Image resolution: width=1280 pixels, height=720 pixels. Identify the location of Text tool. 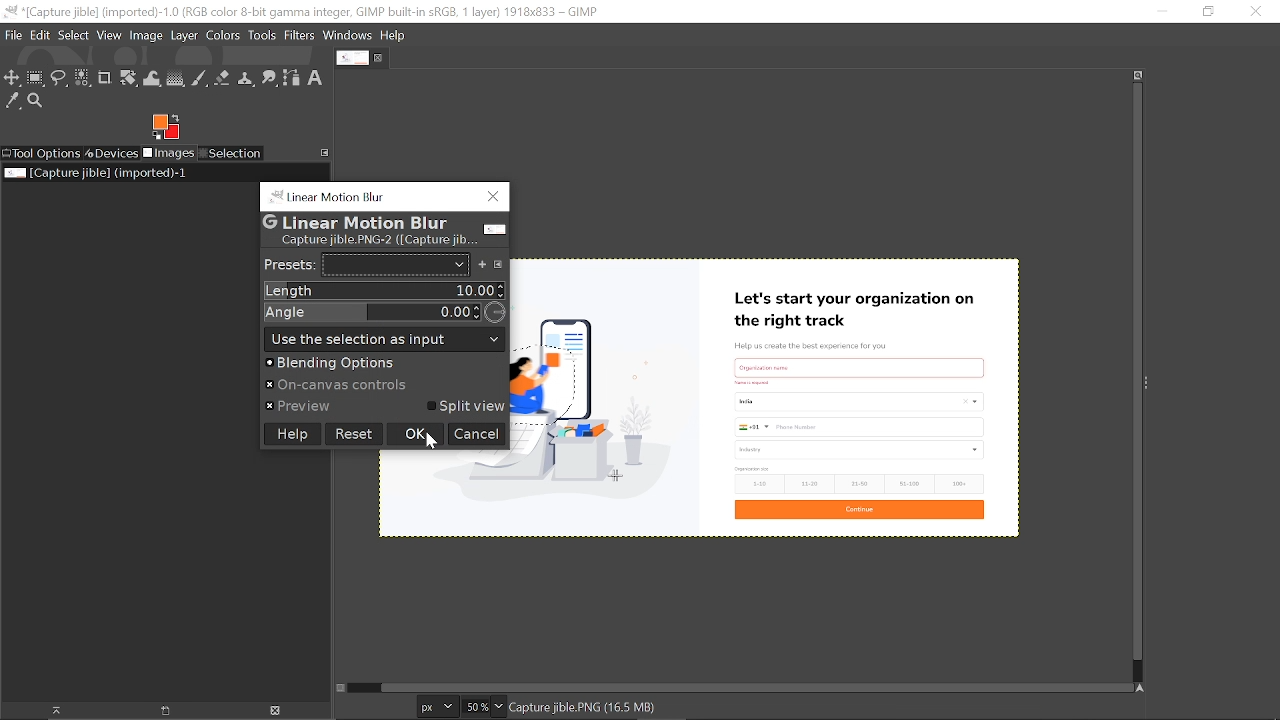
(316, 78).